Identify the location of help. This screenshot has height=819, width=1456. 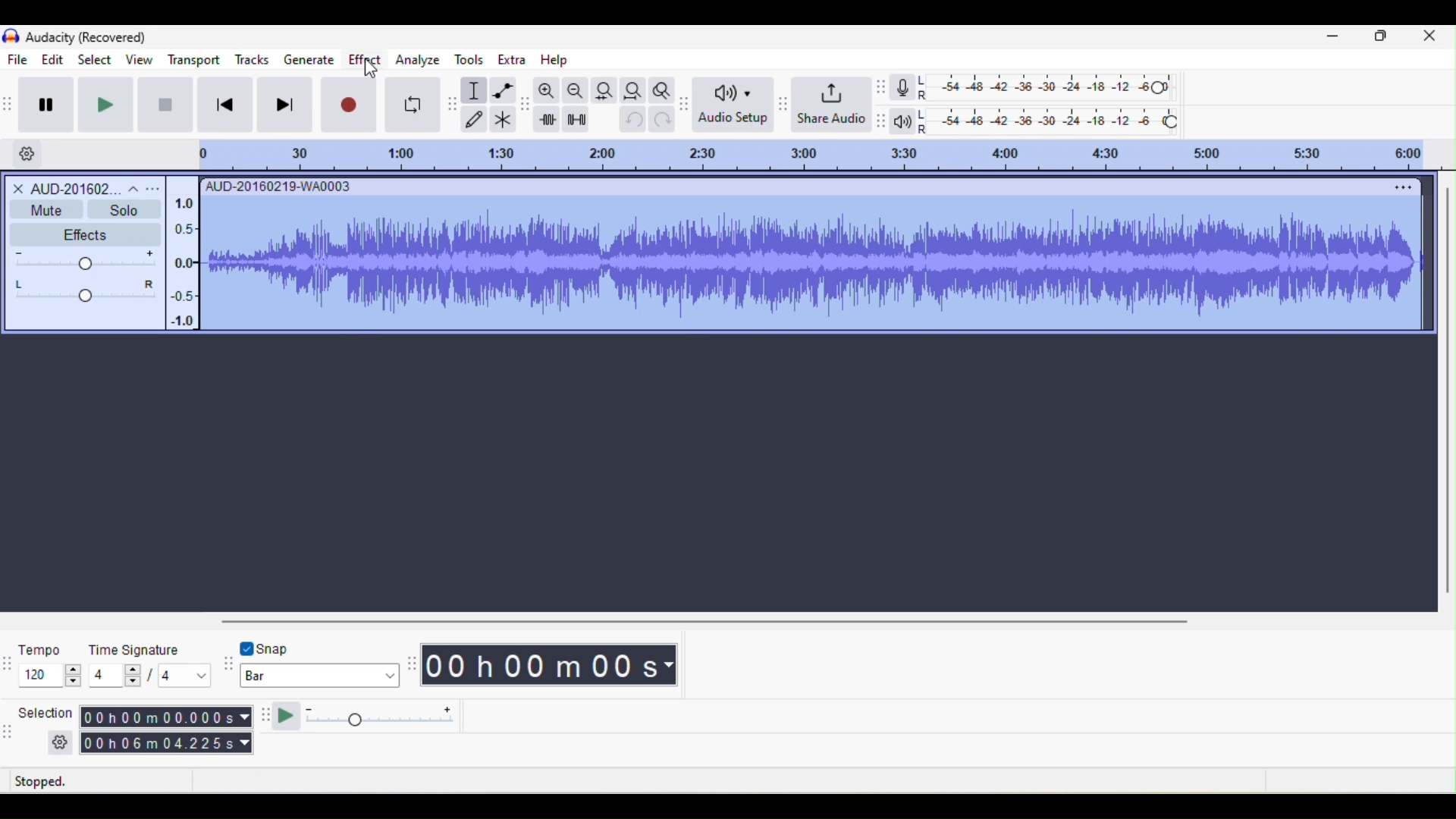
(552, 60).